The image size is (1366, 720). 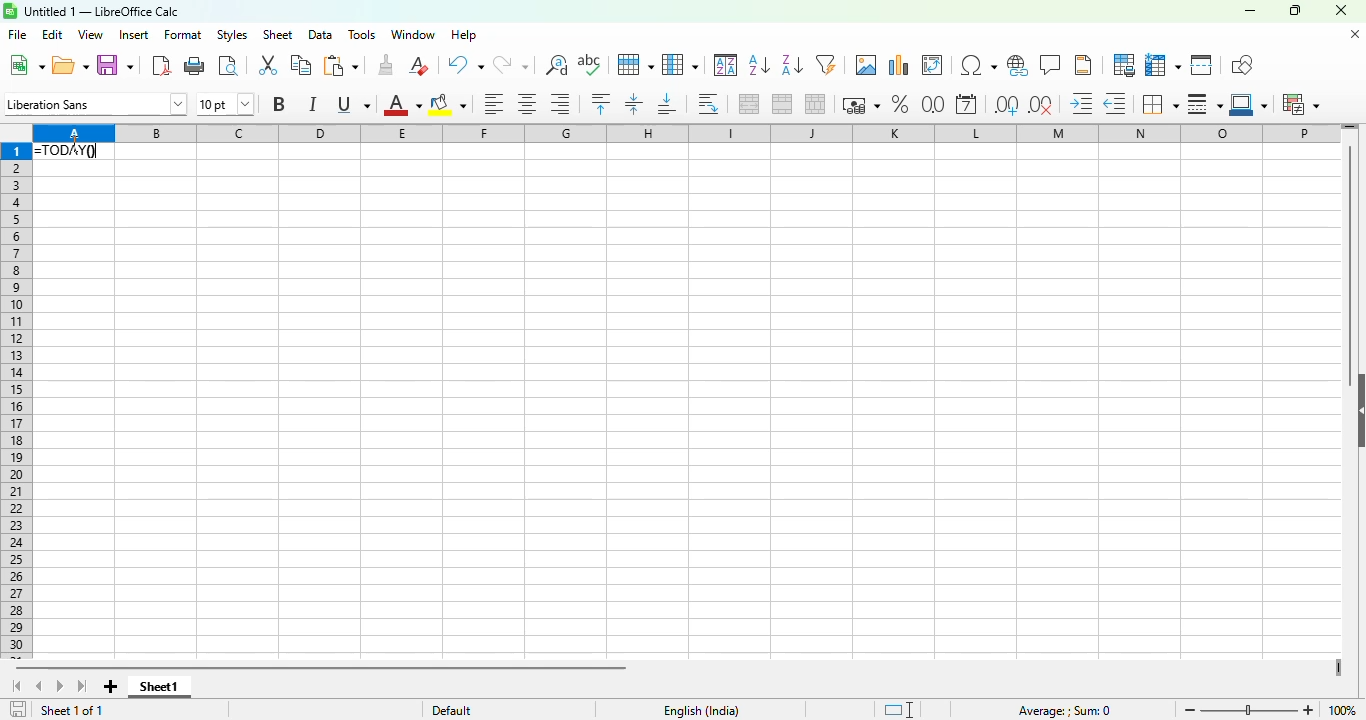 What do you see at coordinates (229, 66) in the screenshot?
I see `toggle print preview` at bounding box center [229, 66].